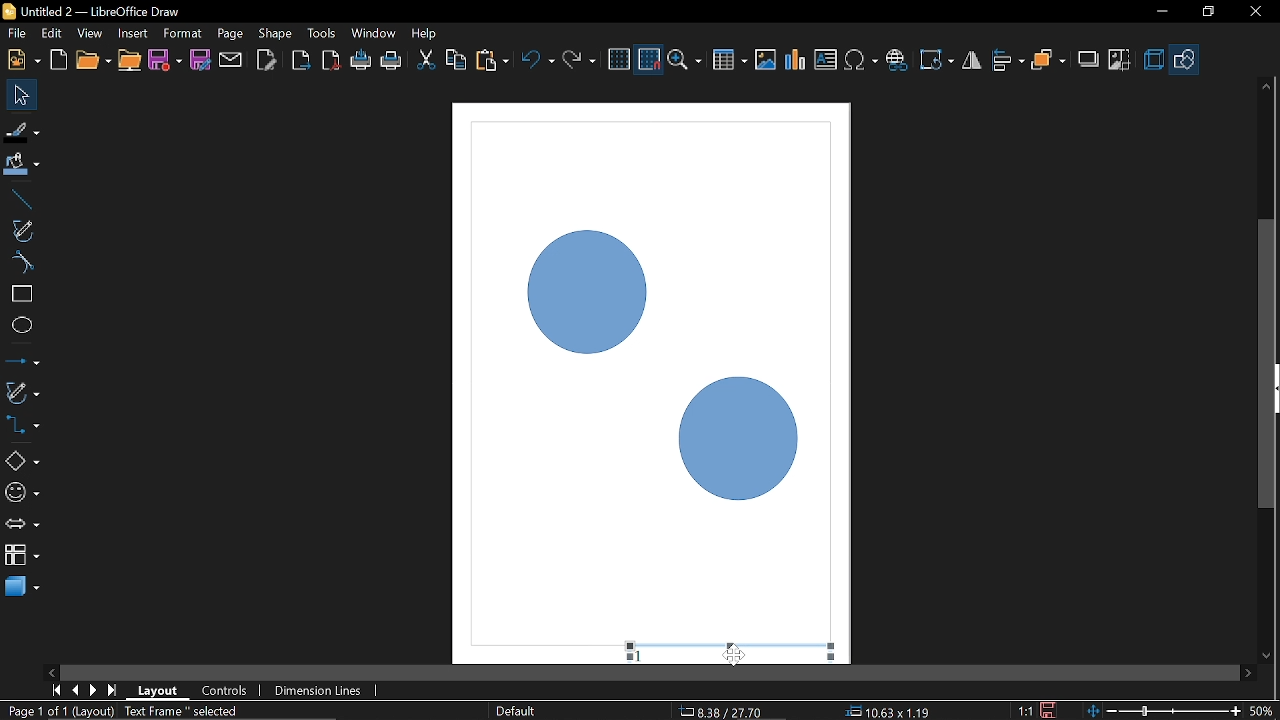 The height and width of the screenshot is (720, 1280). I want to click on Fill line, so click(22, 132).